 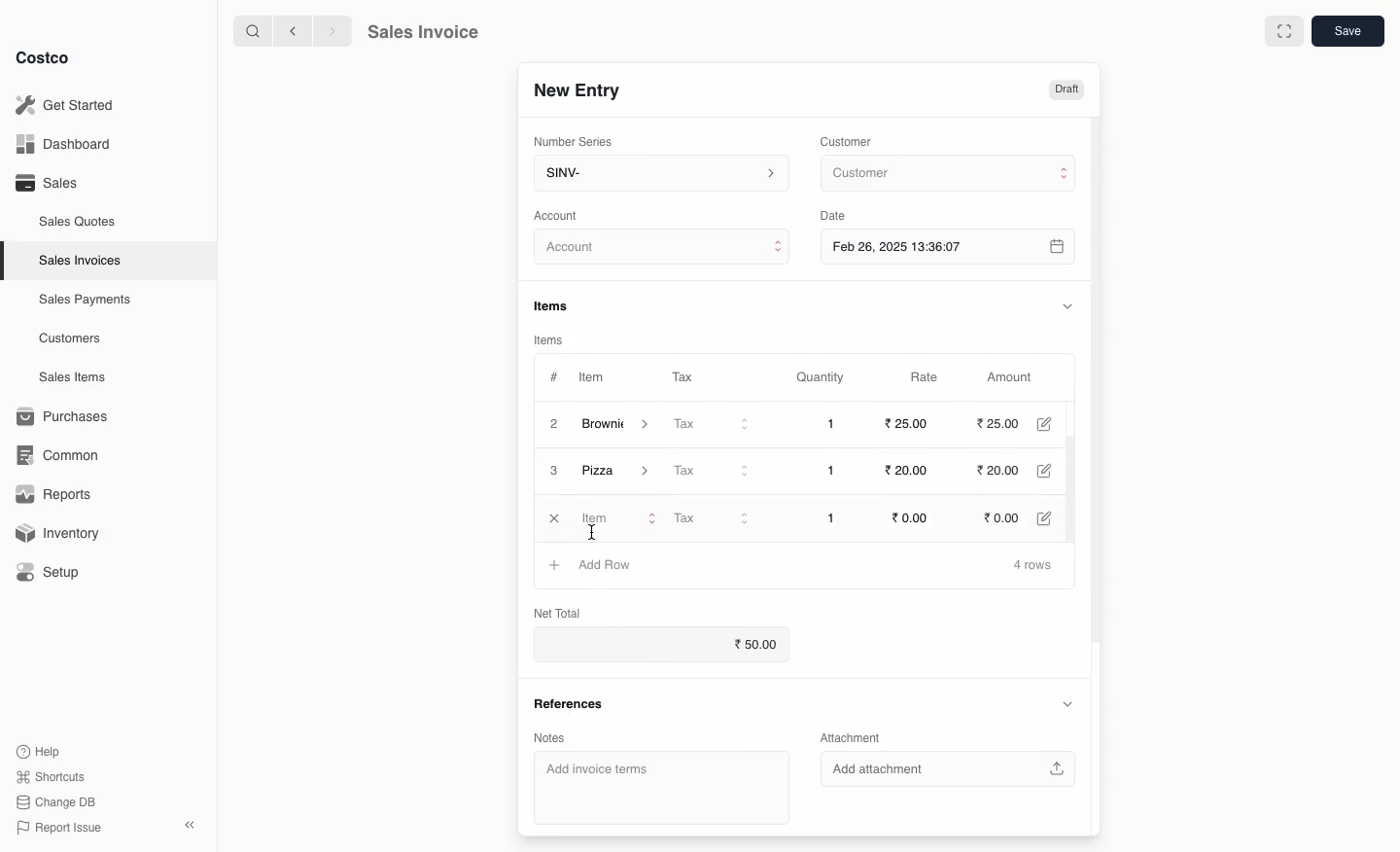 I want to click on Rate, so click(x=927, y=377).